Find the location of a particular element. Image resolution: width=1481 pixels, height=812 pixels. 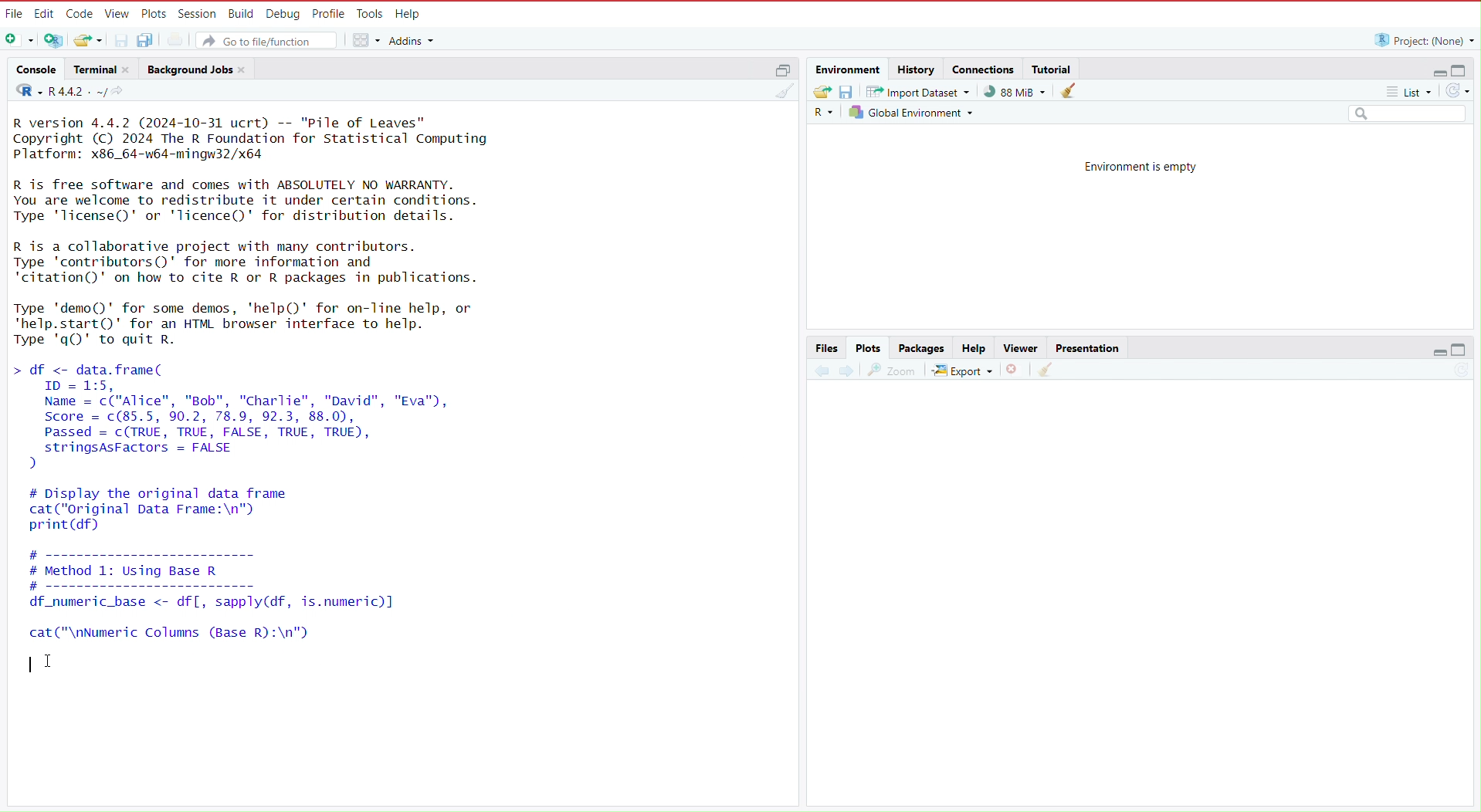

minimize is located at coordinates (1438, 350).